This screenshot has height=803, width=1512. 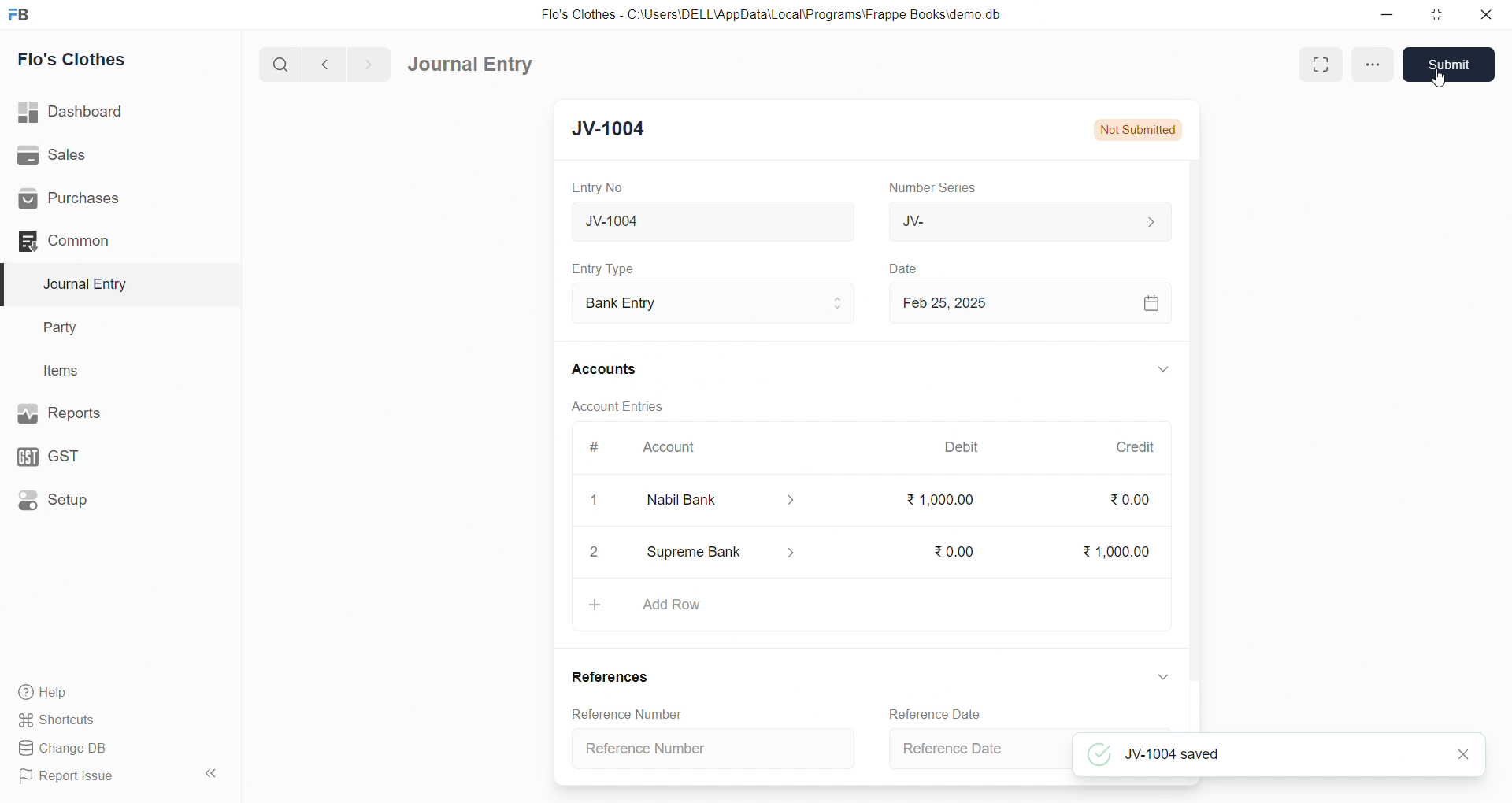 I want to click on JV-, so click(x=1027, y=220).